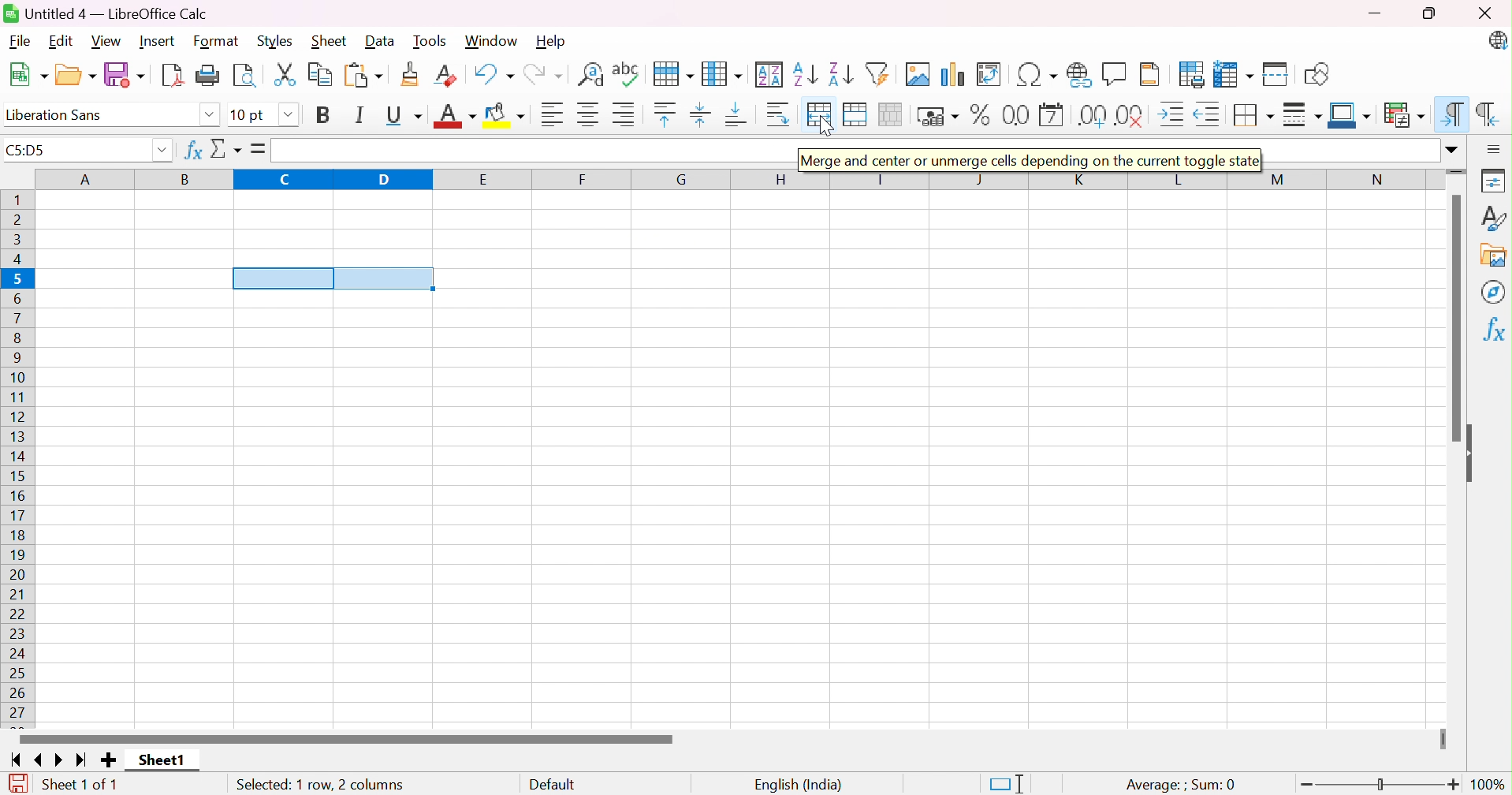  What do you see at coordinates (1452, 319) in the screenshot?
I see `Scroll Bar` at bounding box center [1452, 319].